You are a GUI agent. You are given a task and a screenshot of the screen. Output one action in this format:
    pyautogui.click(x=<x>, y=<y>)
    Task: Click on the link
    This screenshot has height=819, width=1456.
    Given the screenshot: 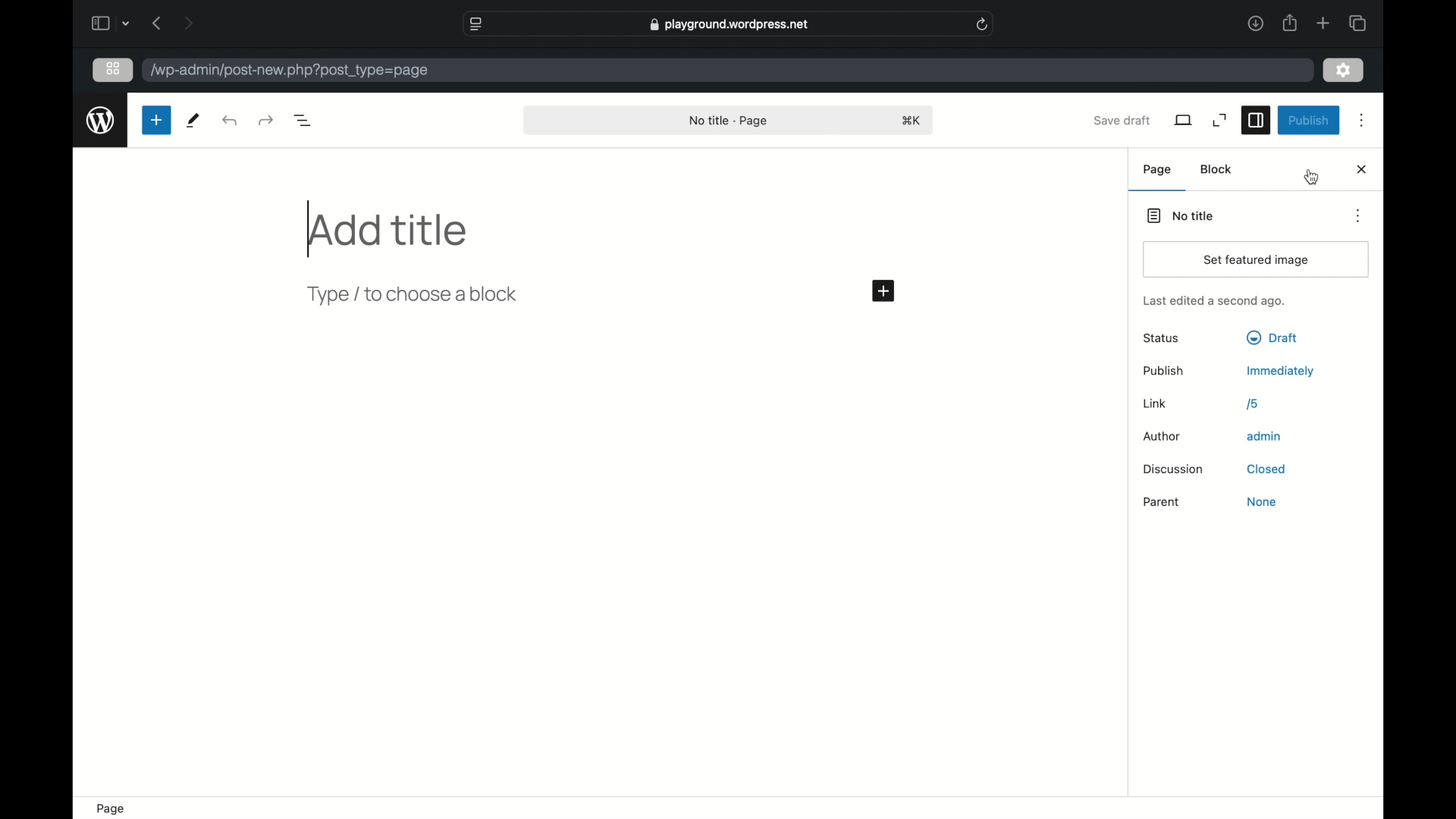 What is the action you would take?
    pyautogui.click(x=1155, y=403)
    